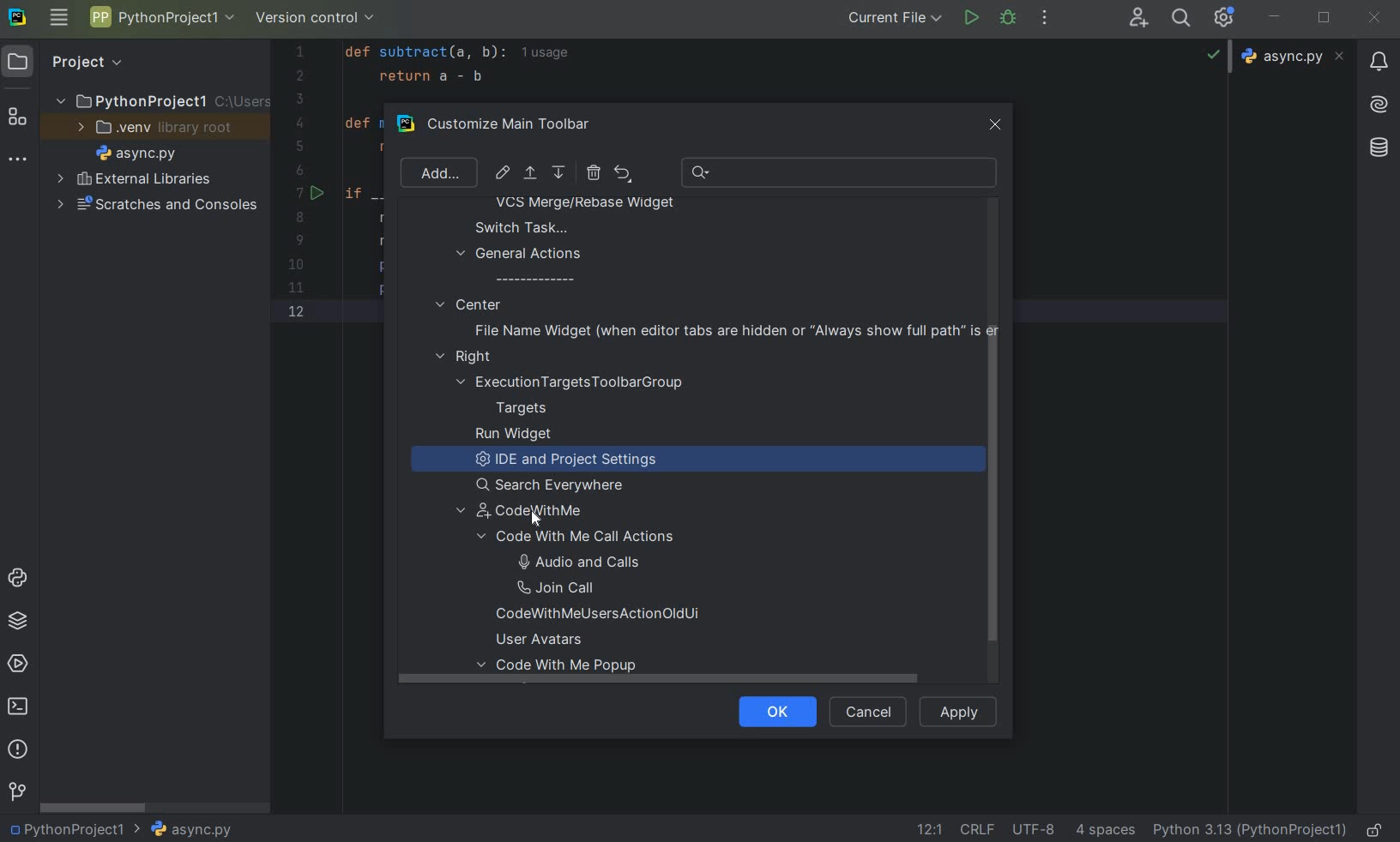  I want to click on REMOVE, so click(593, 172).